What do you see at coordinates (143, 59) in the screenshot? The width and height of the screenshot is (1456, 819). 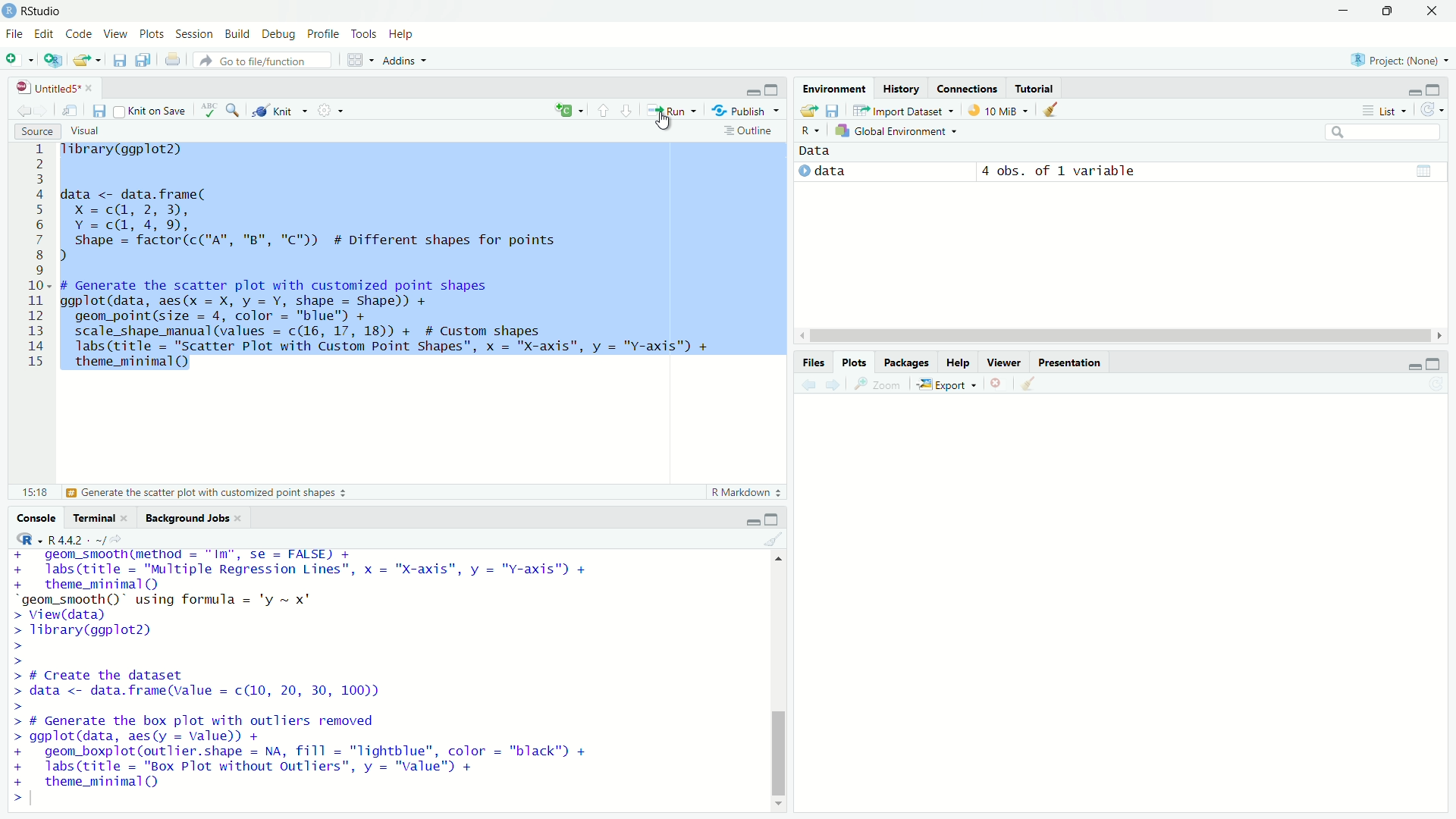 I see `Save all open documents` at bounding box center [143, 59].